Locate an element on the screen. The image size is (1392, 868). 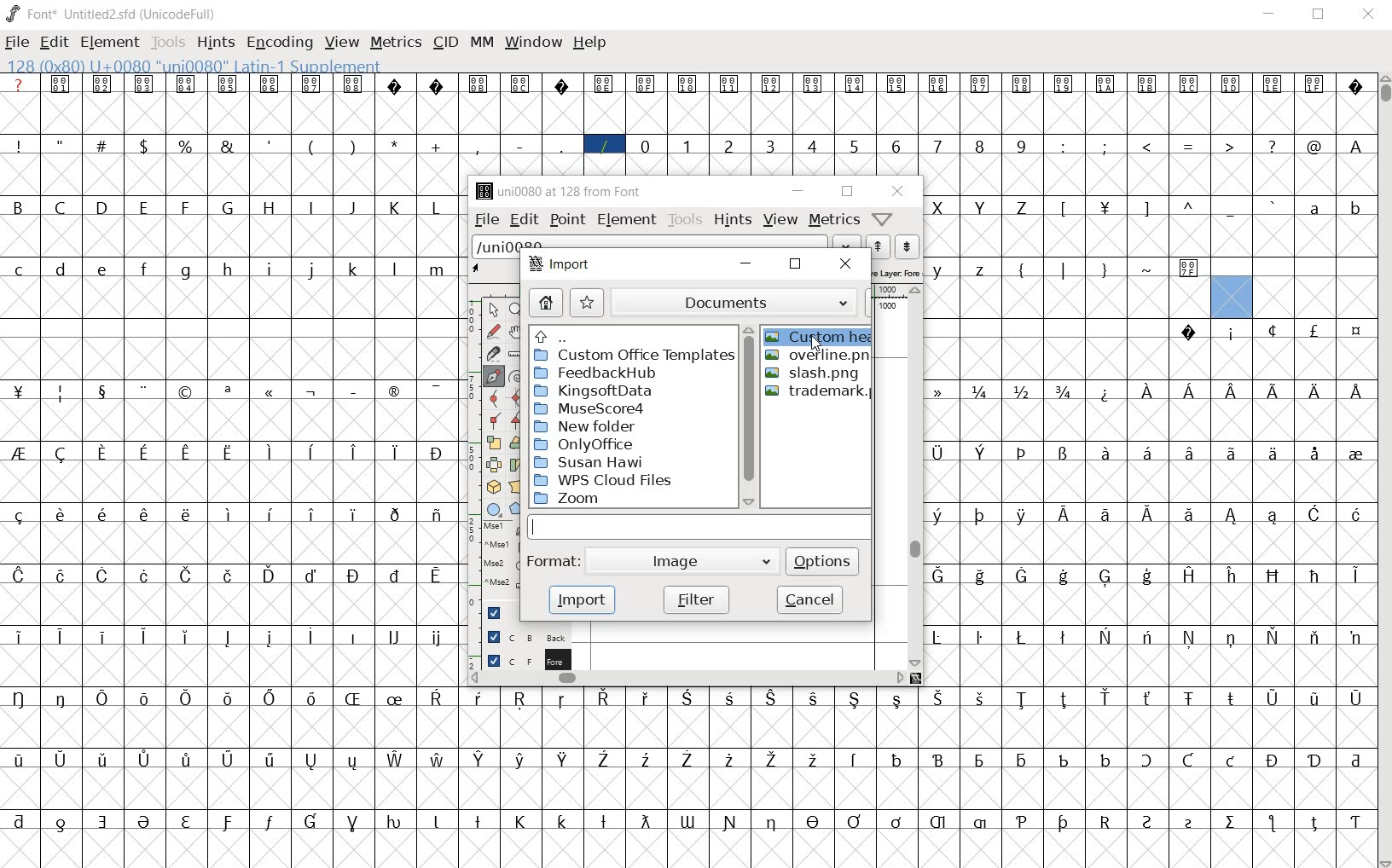
bookmark is located at coordinates (588, 301).